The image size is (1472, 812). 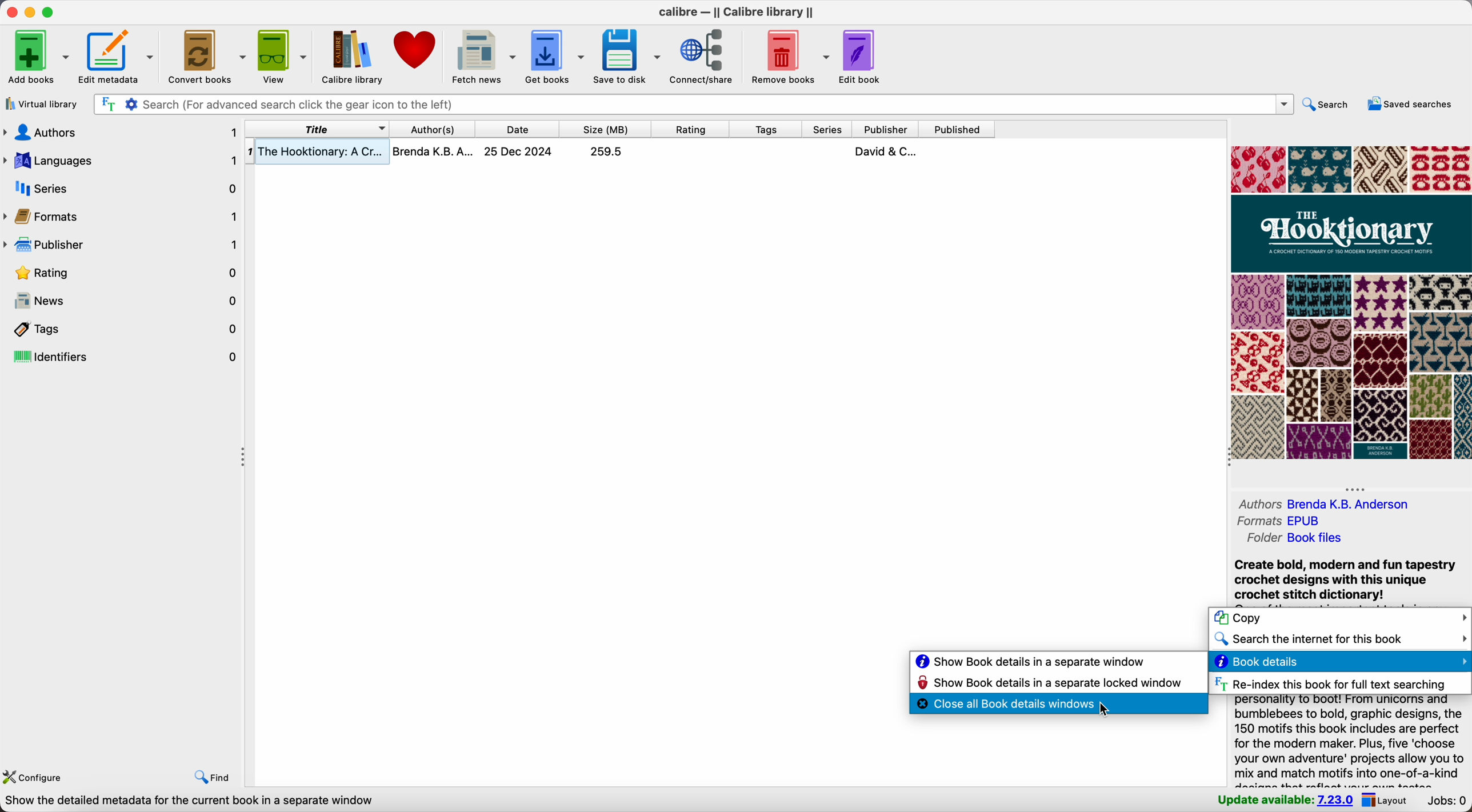 What do you see at coordinates (1329, 684) in the screenshot?
I see `re-index this book full text searching` at bounding box center [1329, 684].